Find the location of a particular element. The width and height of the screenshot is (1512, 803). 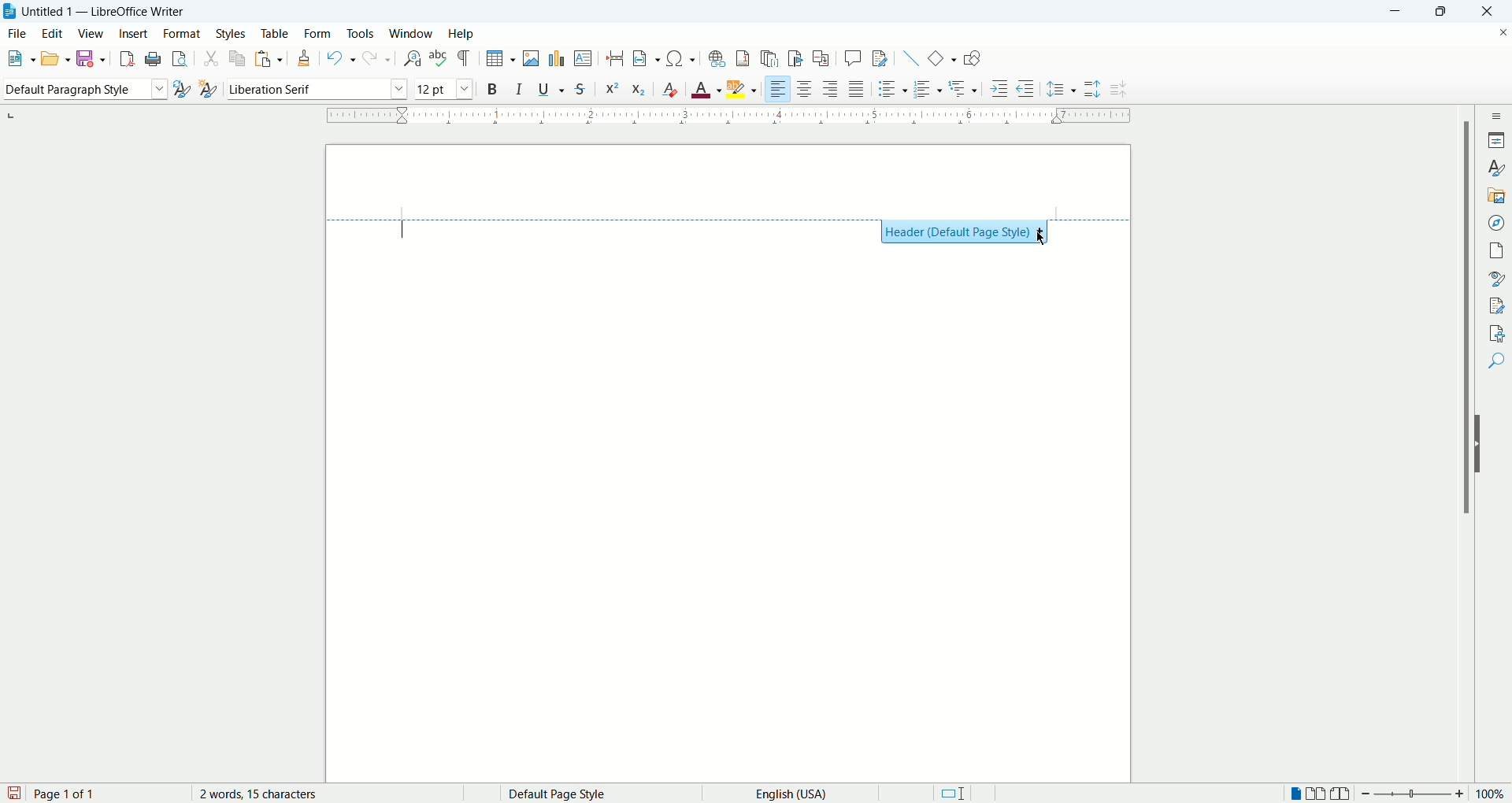

decrease indent is located at coordinates (1025, 89).